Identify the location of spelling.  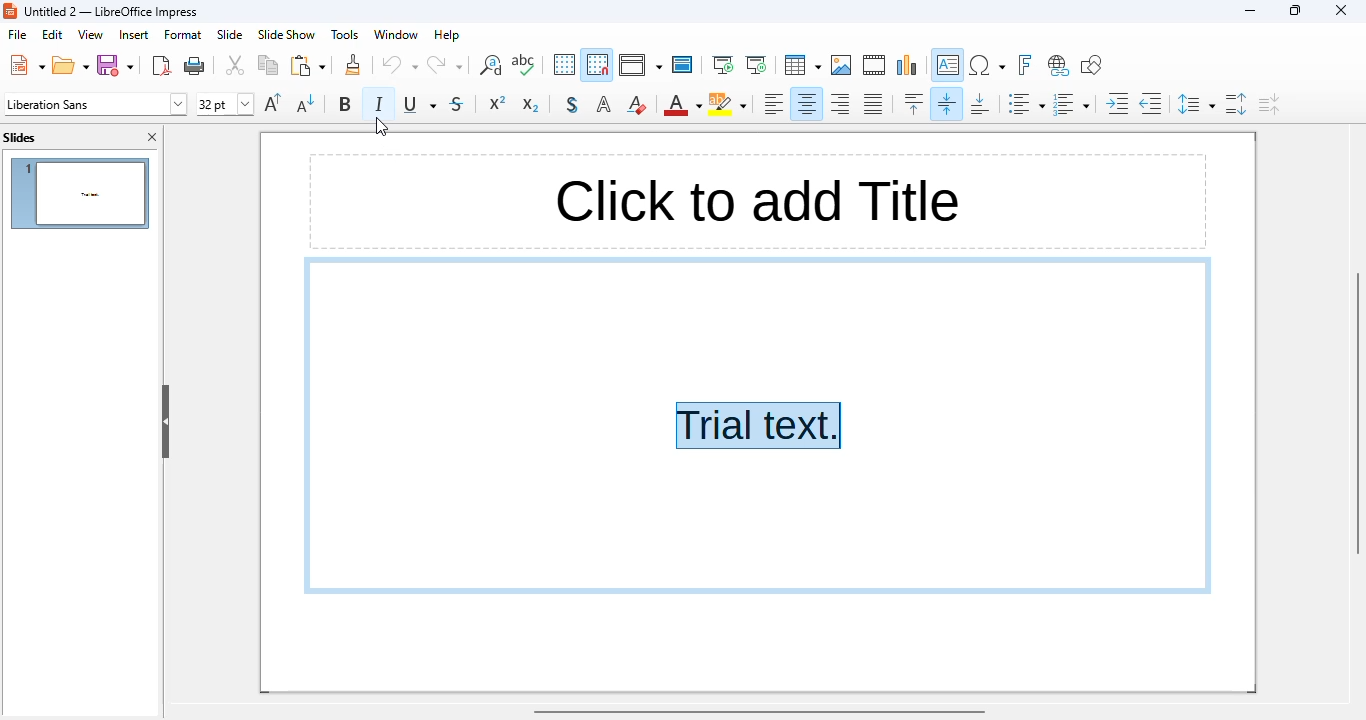
(523, 64).